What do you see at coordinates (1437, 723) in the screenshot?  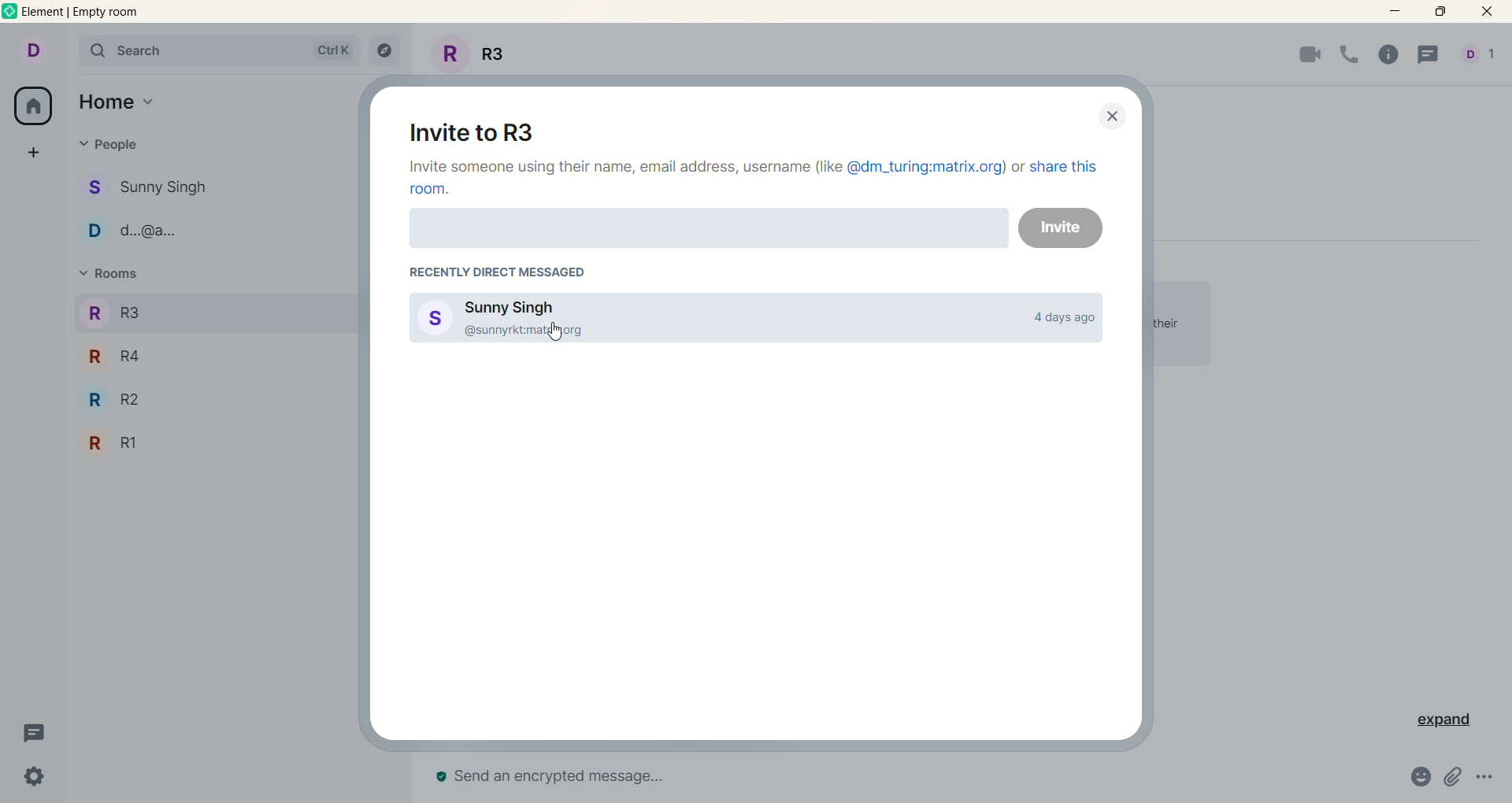 I see `expand` at bounding box center [1437, 723].